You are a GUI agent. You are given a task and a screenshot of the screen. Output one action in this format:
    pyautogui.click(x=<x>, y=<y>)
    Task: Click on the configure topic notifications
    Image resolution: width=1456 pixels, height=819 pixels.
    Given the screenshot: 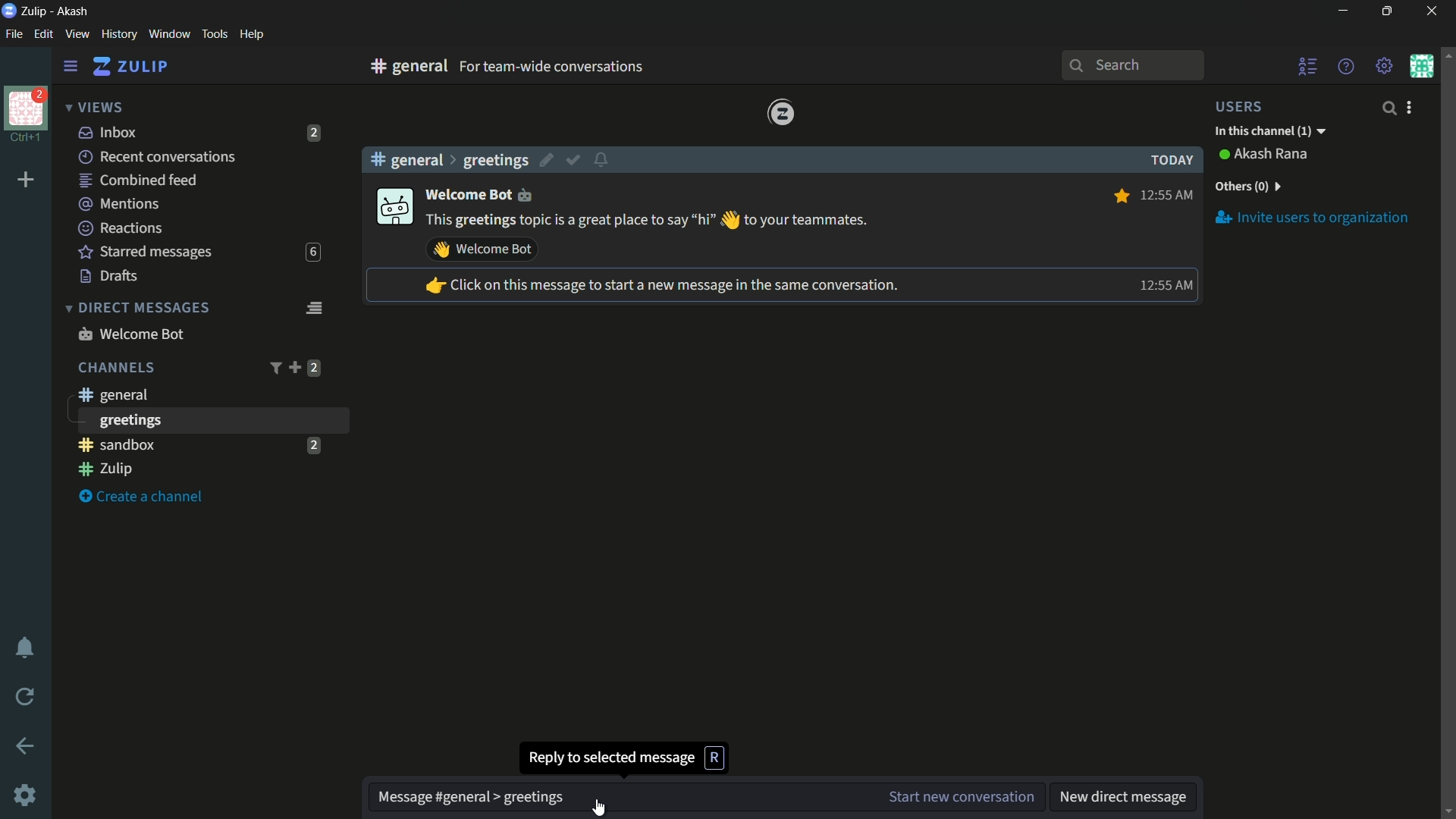 What is the action you would take?
    pyautogui.click(x=604, y=158)
    